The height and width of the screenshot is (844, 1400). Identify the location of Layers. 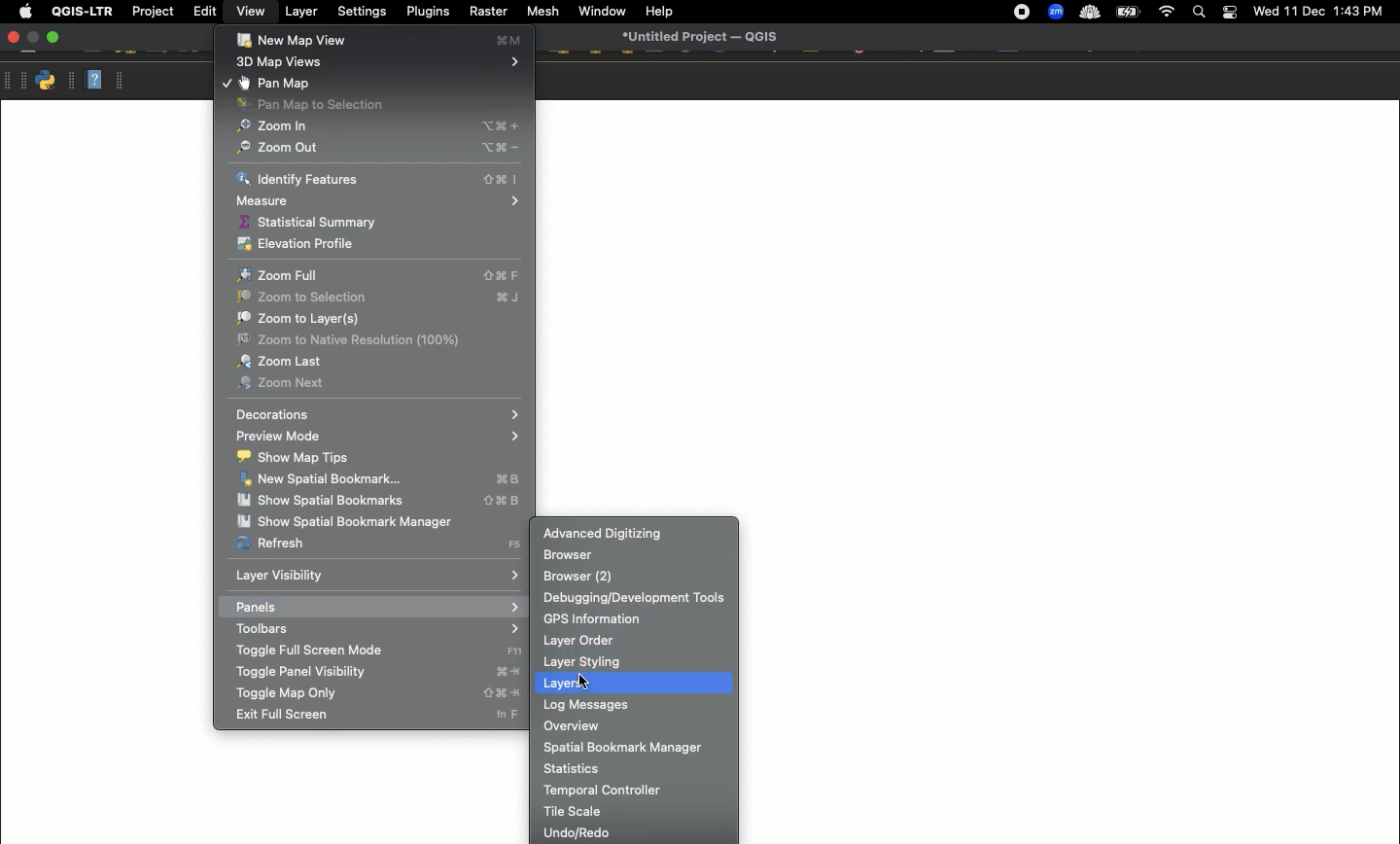
(634, 684).